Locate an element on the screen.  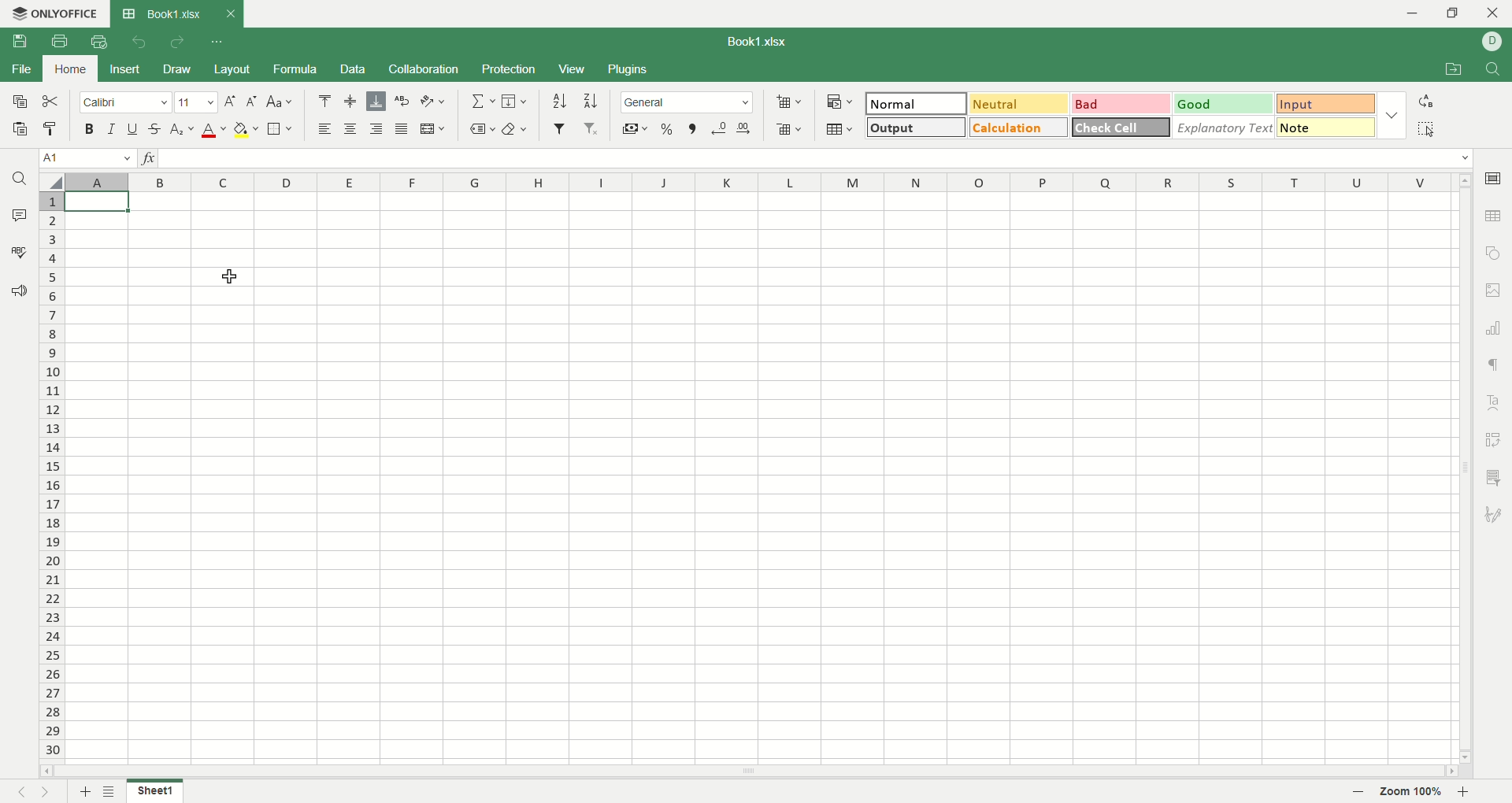
wrap text is located at coordinates (403, 101).